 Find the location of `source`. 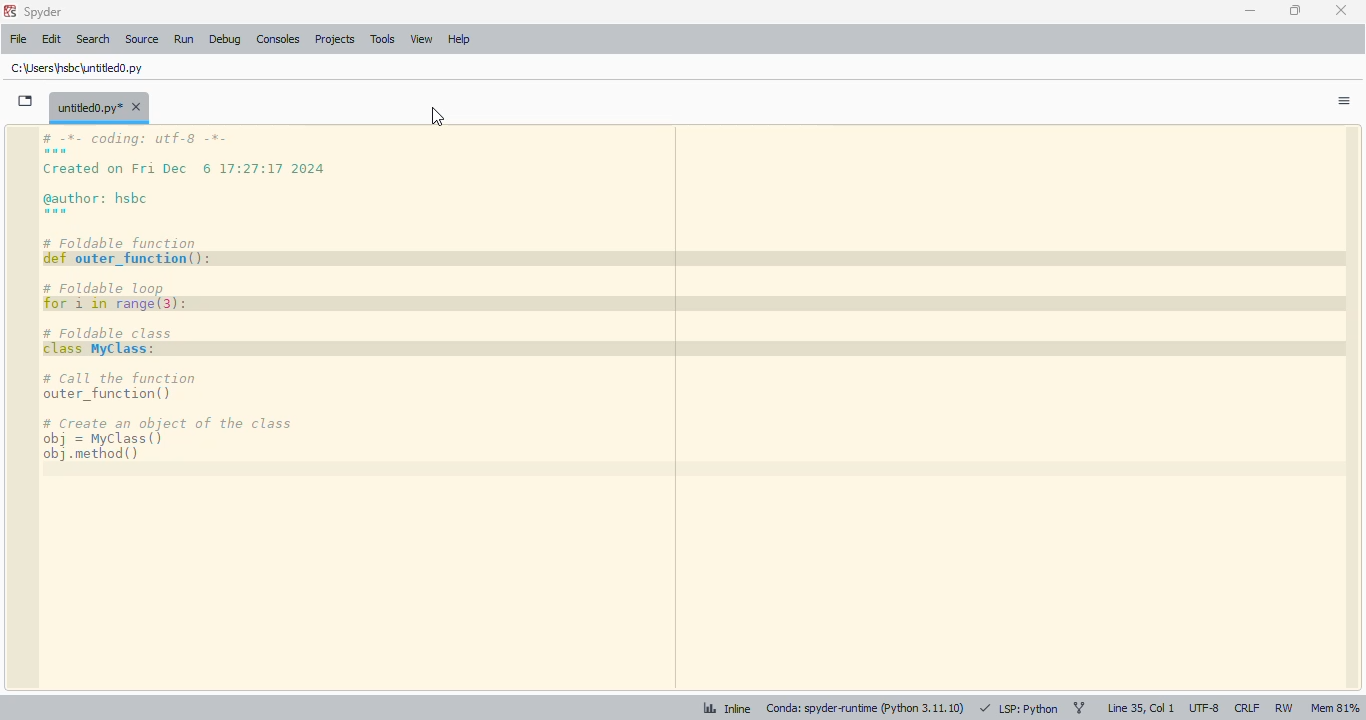

source is located at coordinates (140, 39).